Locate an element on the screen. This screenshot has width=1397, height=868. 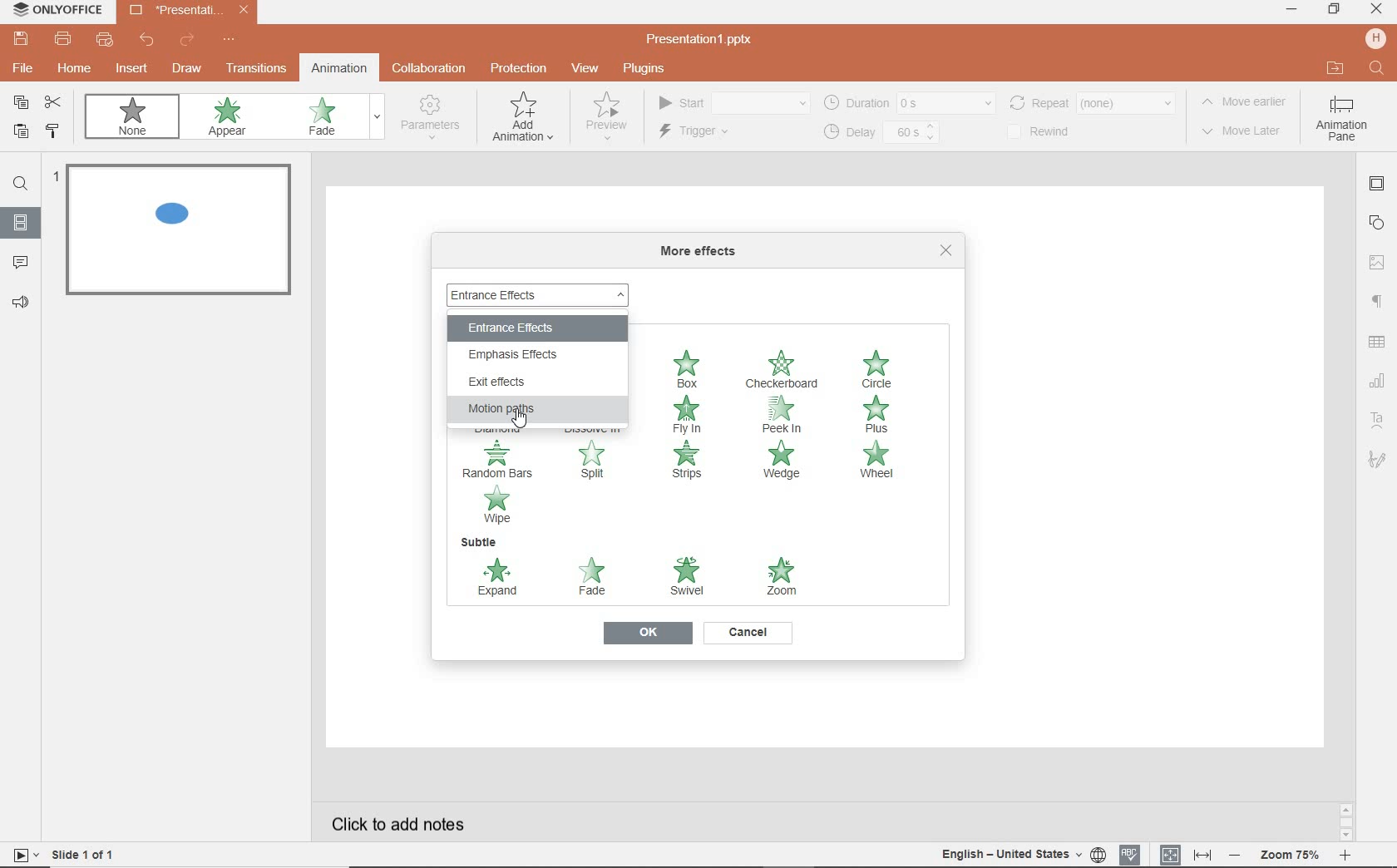
EXPAND is located at coordinates (498, 579).